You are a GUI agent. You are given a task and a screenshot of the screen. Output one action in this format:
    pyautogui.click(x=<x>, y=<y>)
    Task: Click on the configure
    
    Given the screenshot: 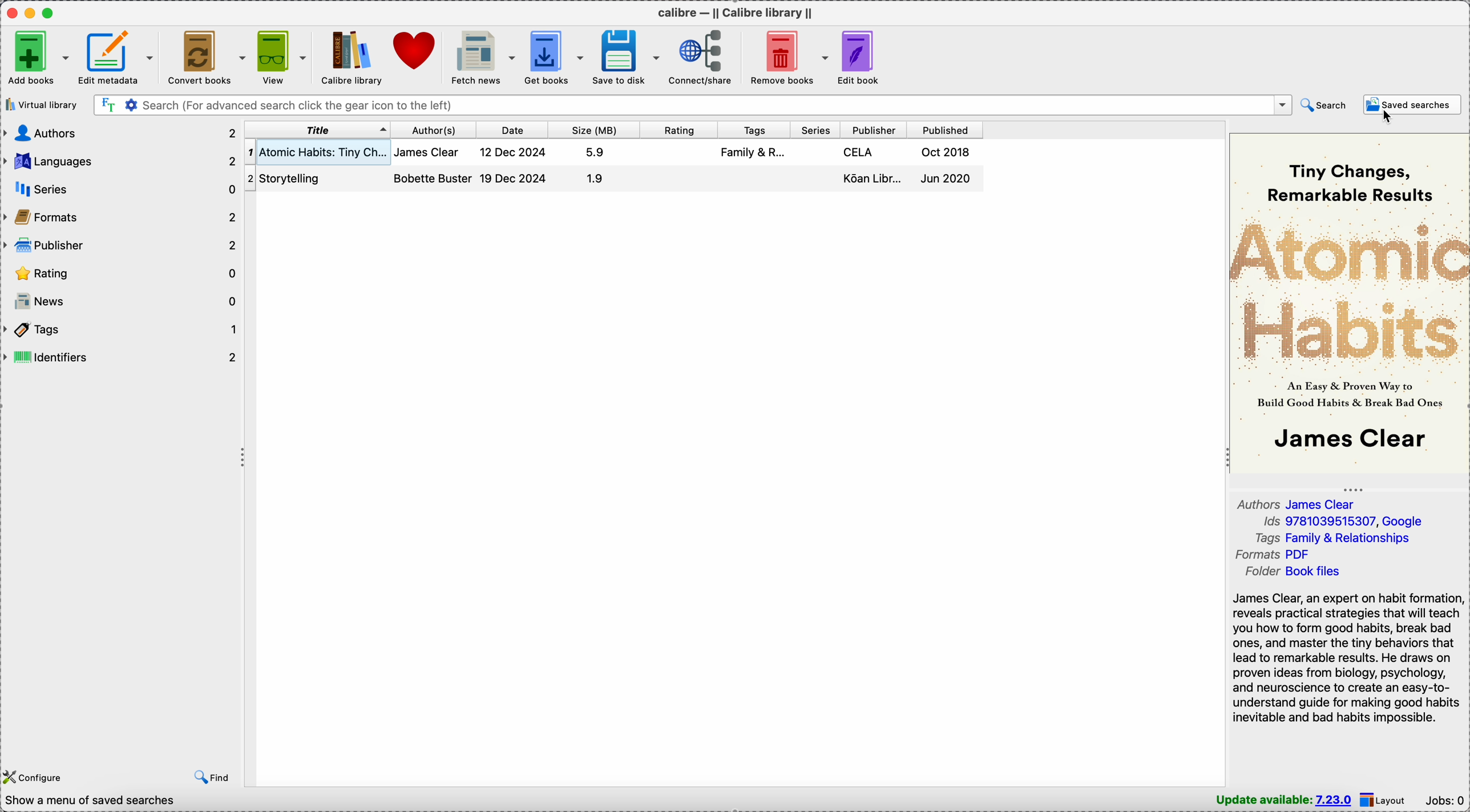 What is the action you would take?
    pyautogui.click(x=33, y=777)
    